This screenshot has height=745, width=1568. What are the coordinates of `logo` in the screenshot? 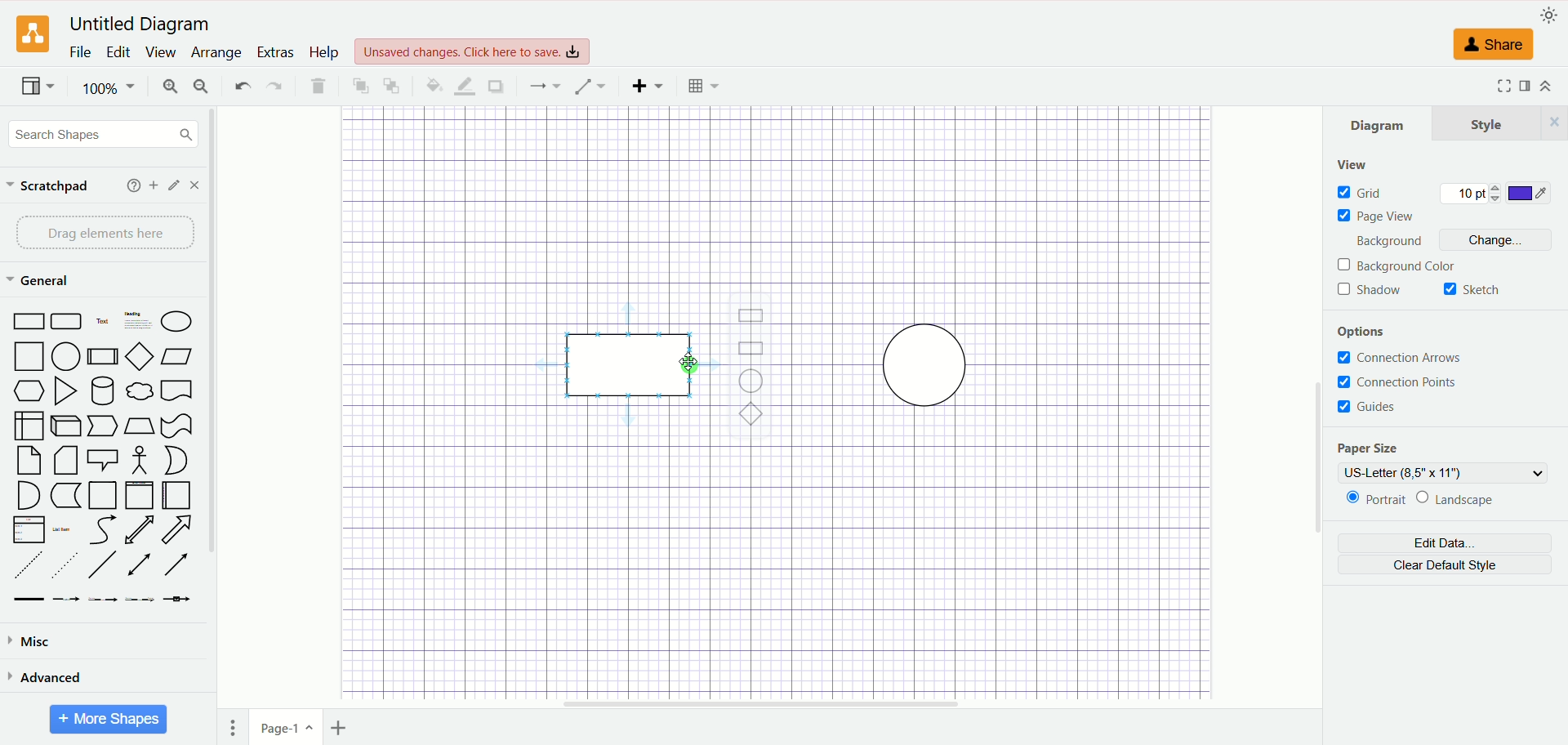 It's located at (31, 34).